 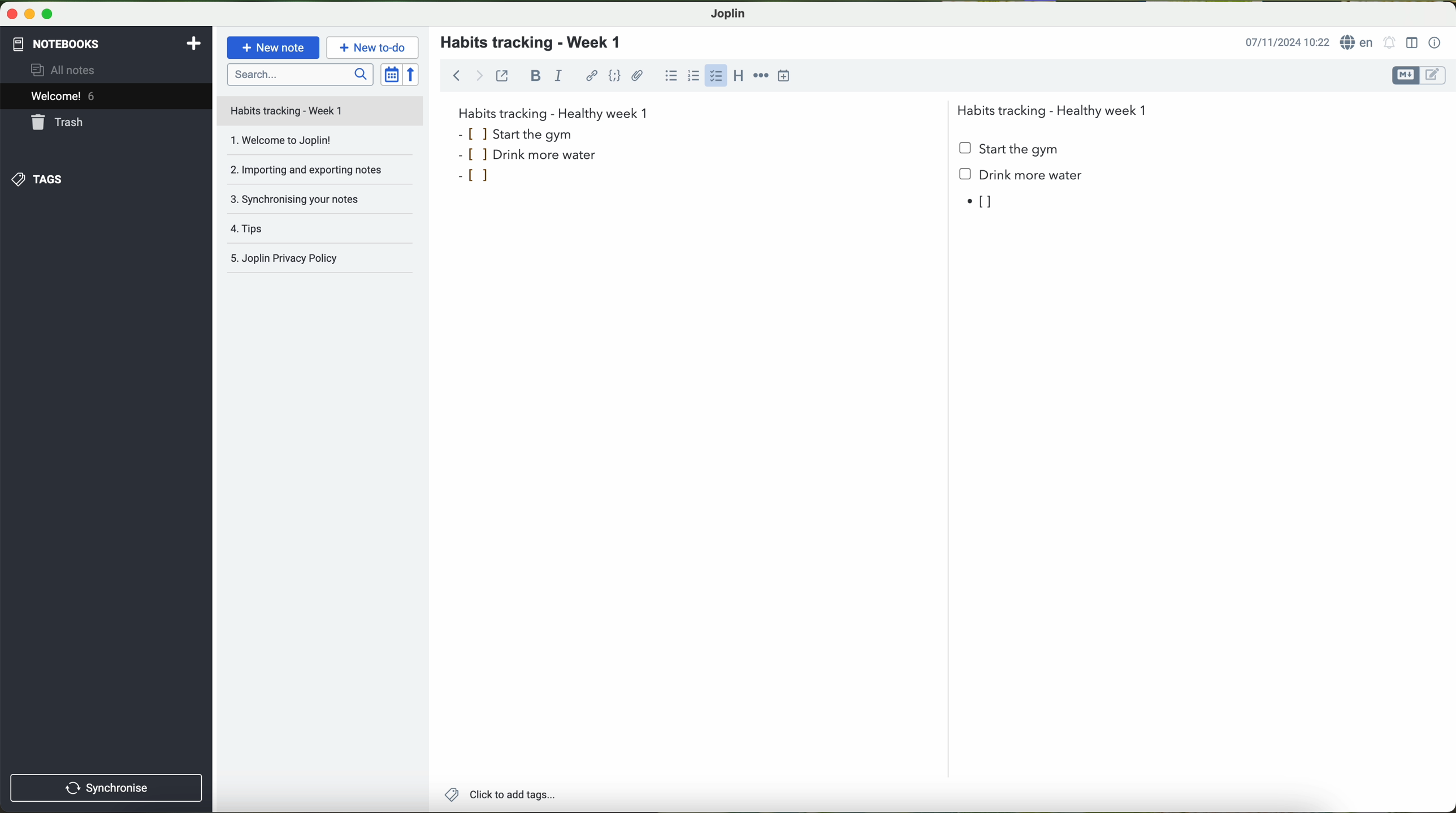 What do you see at coordinates (761, 76) in the screenshot?
I see `horizontal rule` at bounding box center [761, 76].